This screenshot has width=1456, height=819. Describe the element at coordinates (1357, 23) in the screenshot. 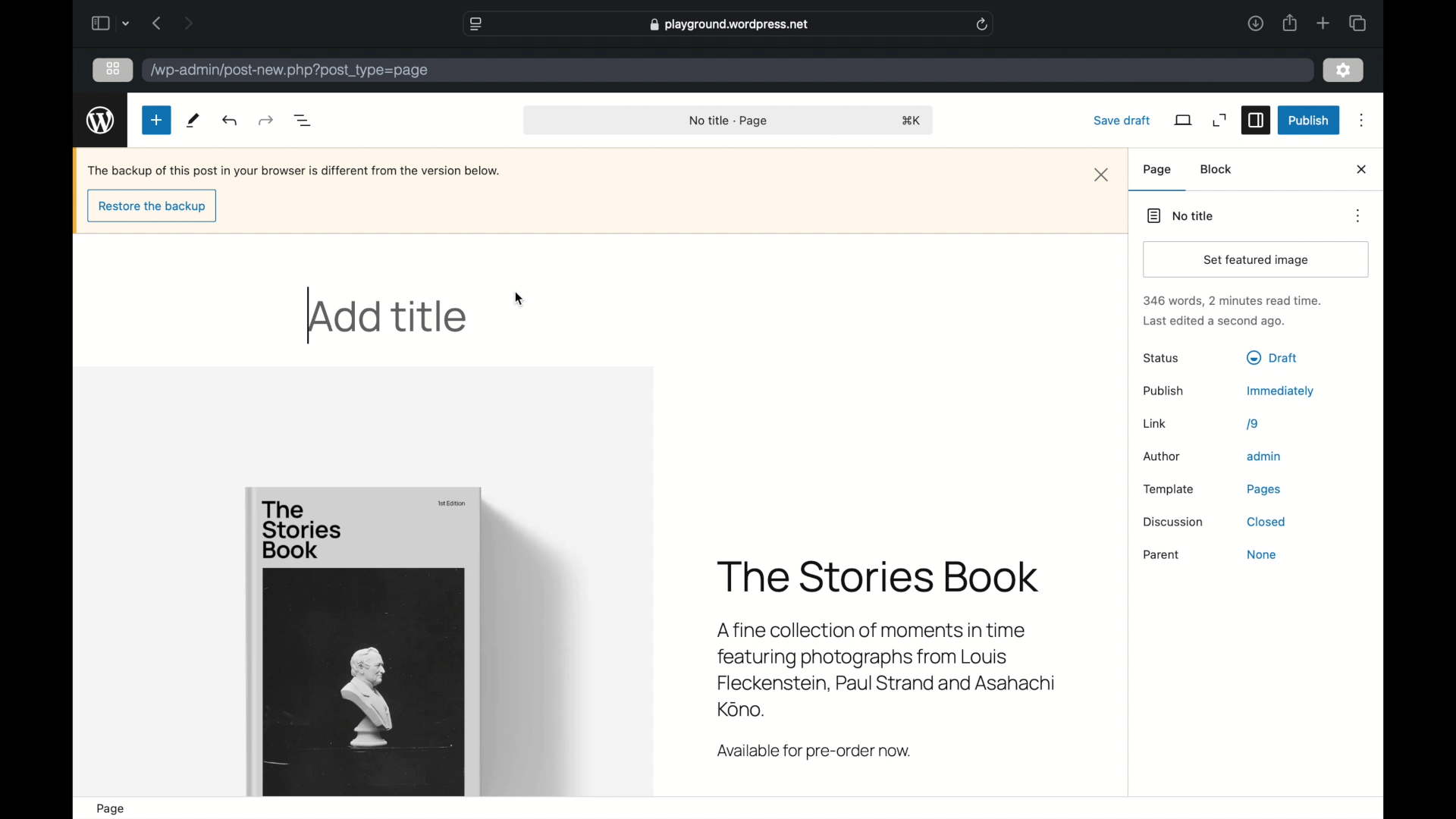

I see `show tab overview` at that location.